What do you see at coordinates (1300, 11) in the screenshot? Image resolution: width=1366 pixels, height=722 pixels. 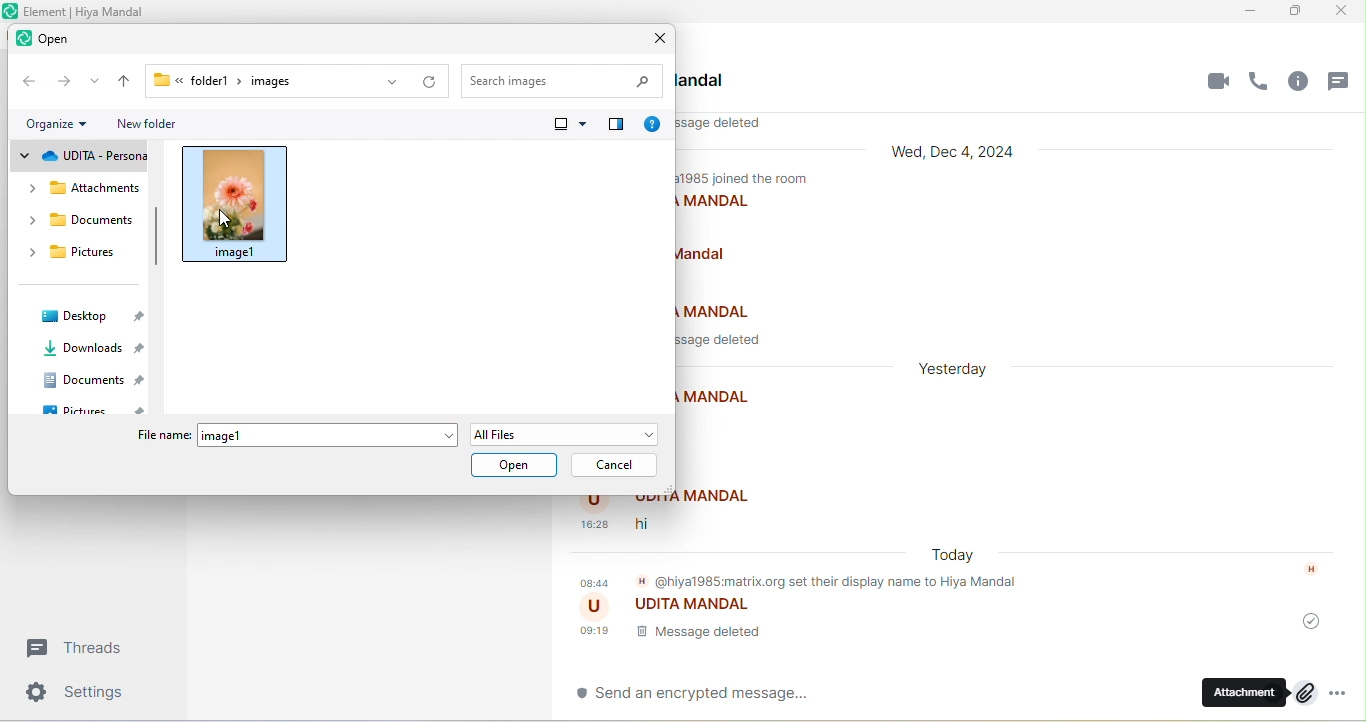 I see `maximize` at bounding box center [1300, 11].